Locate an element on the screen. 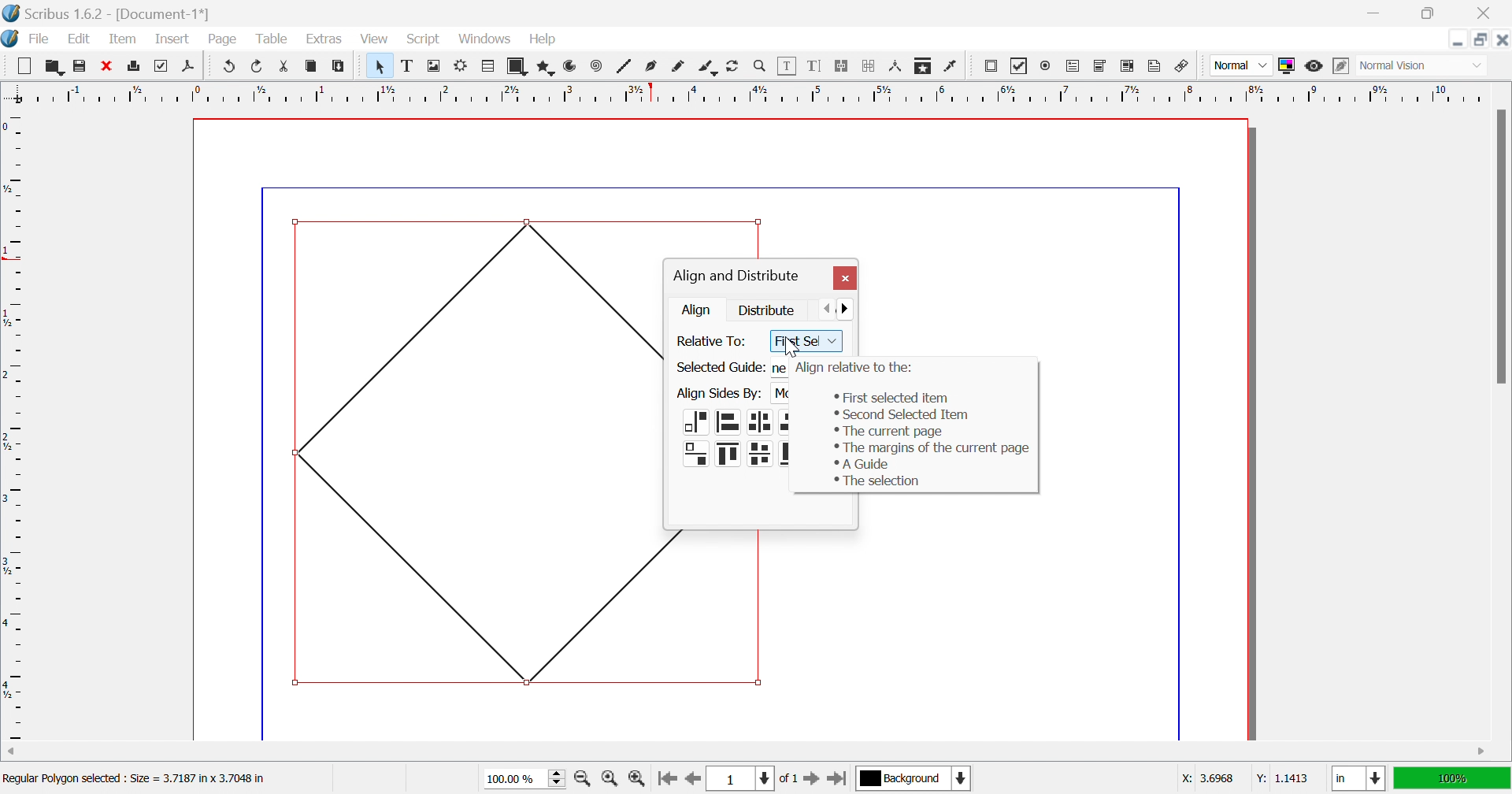 The image size is (1512, 794). Link text frames is located at coordinates (840, 66).